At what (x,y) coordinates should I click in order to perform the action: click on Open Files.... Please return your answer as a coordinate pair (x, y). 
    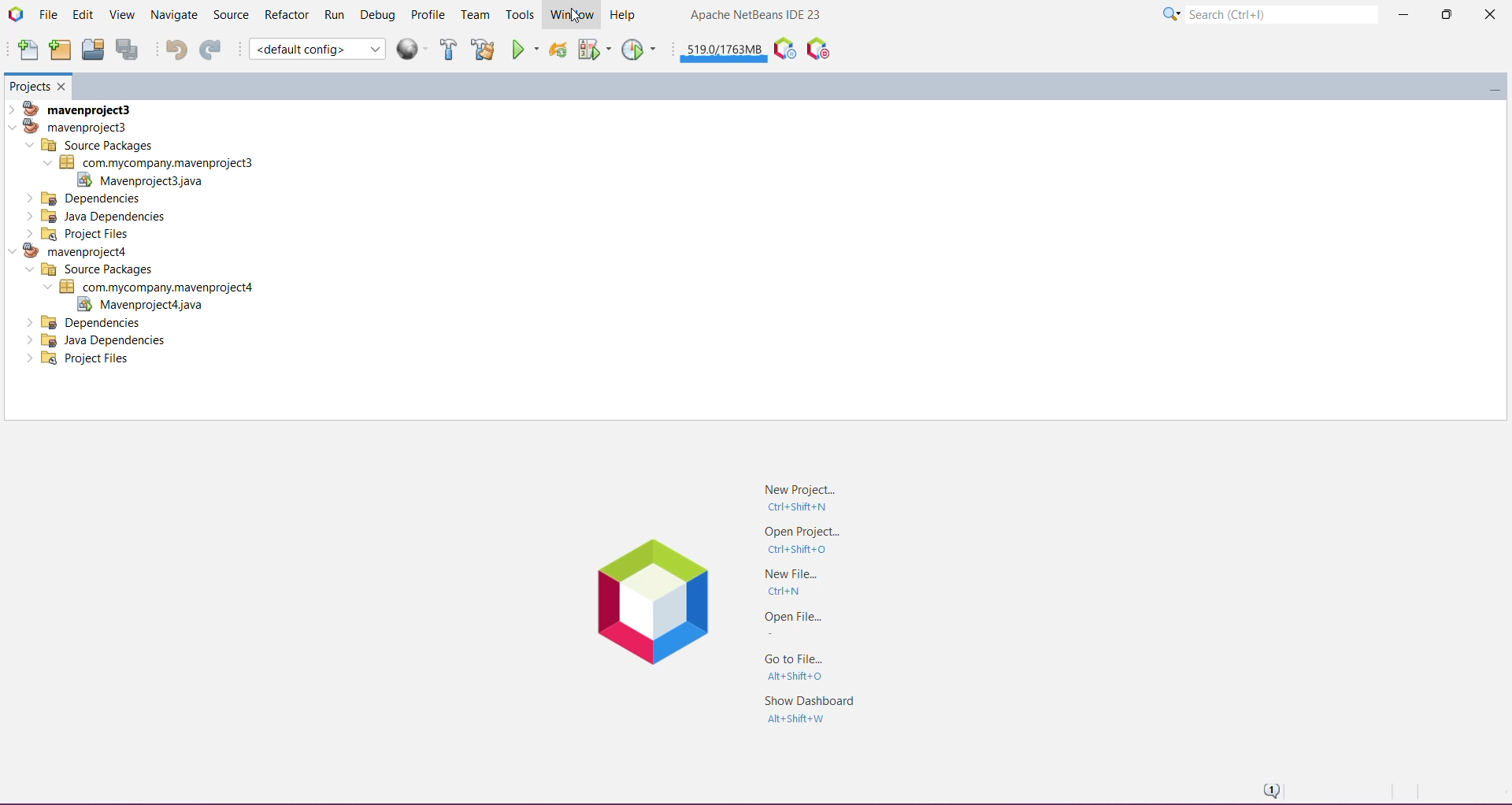
    Looking at the image, I should click on (790, 621).